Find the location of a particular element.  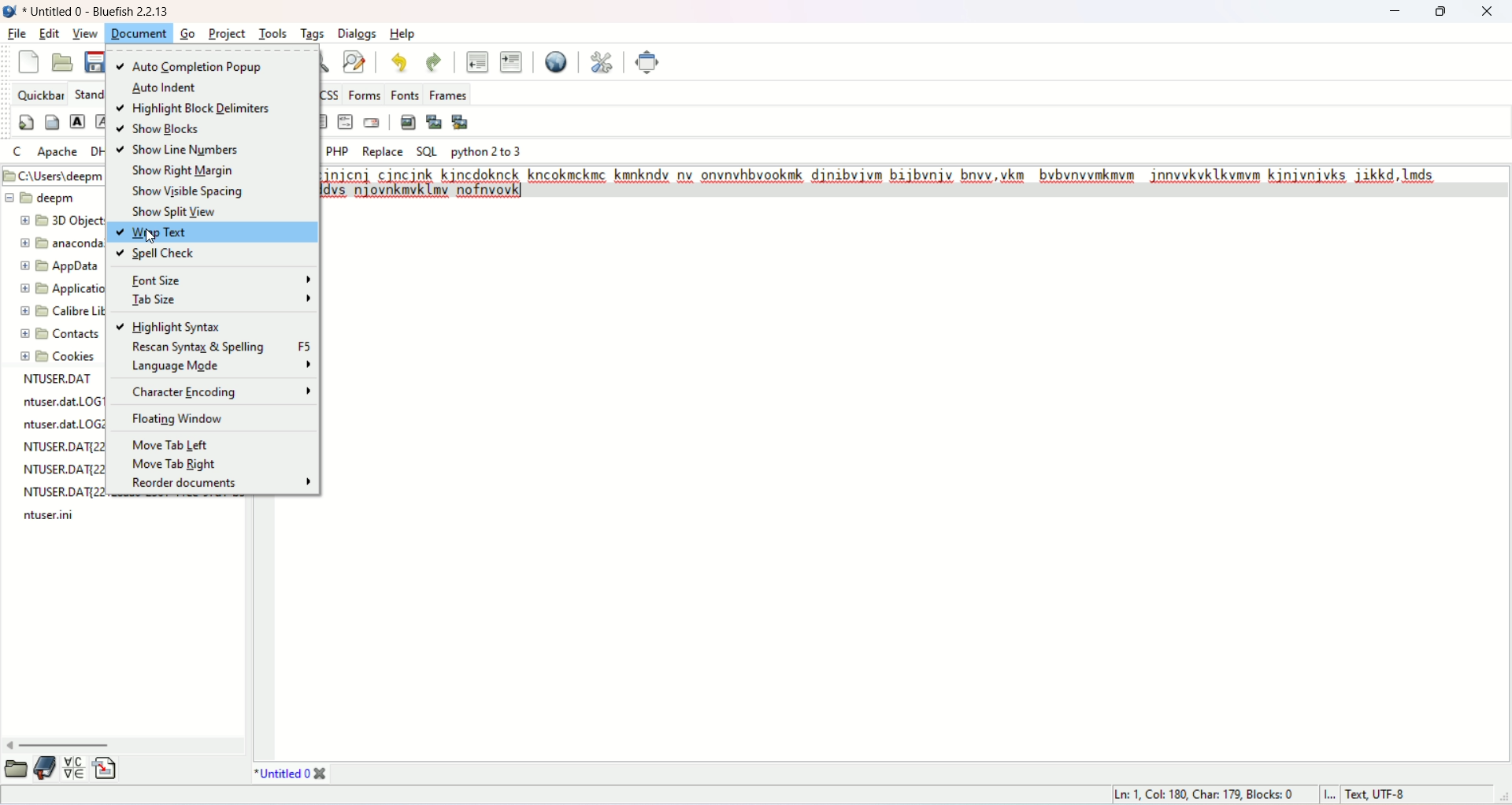

PHP is located at coordinates (338, 150).